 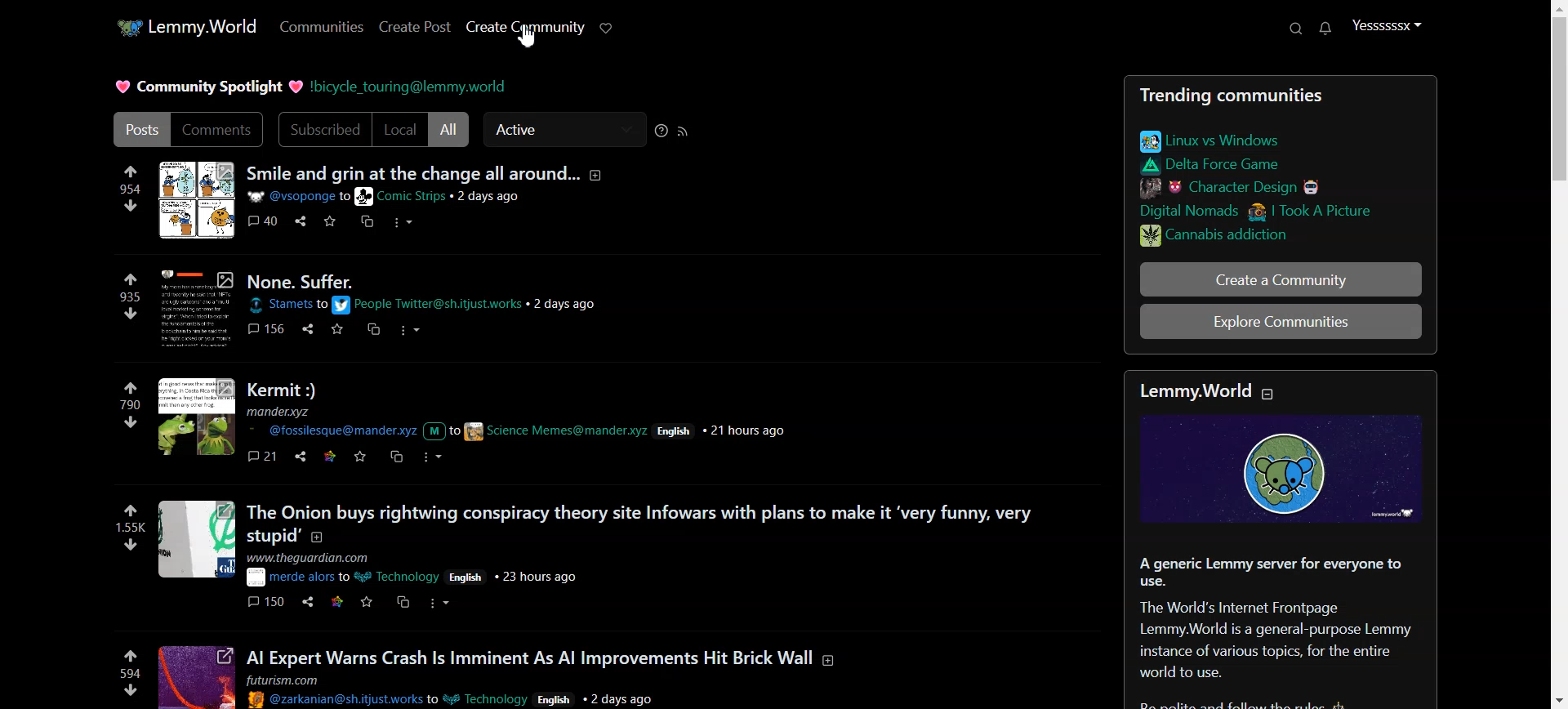 I want to click on upvote, so click(x=131, y=510).